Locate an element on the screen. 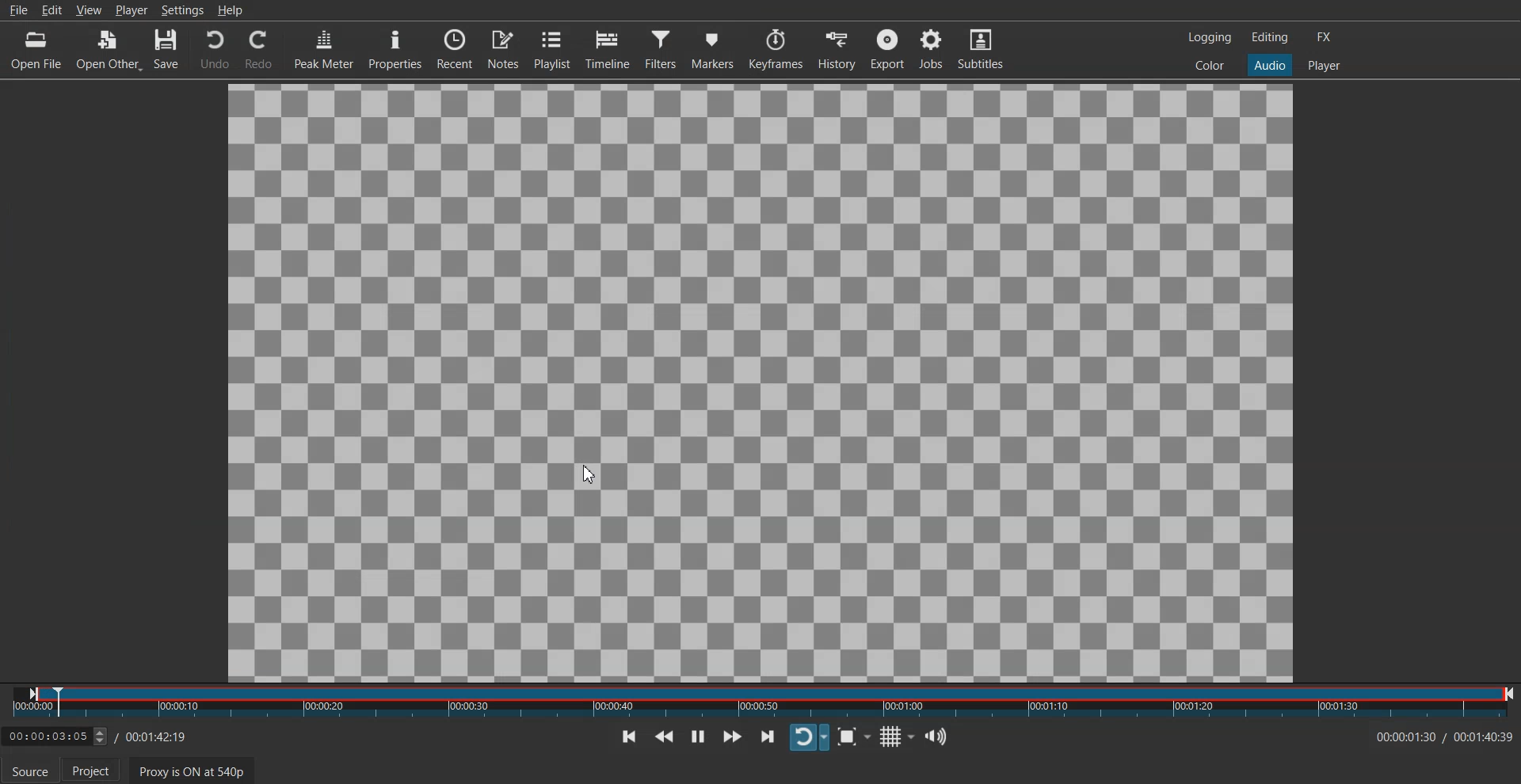  Play Quickly Backwards is located at coordinates (664, 736).